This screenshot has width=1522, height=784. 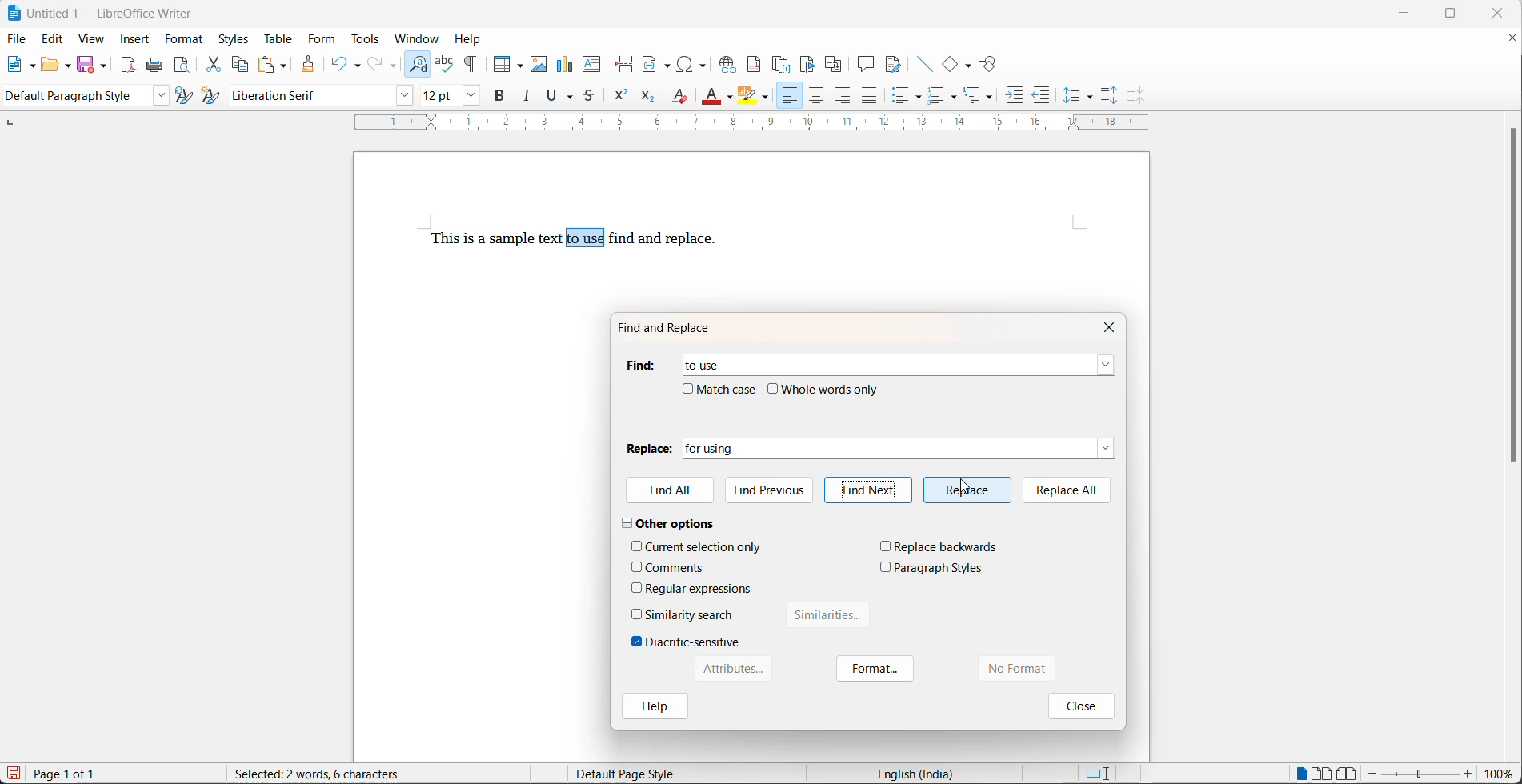 What do you see at coordinates (321, 40) in the screenshot?
I see `form` at bounding box center [321, 40].